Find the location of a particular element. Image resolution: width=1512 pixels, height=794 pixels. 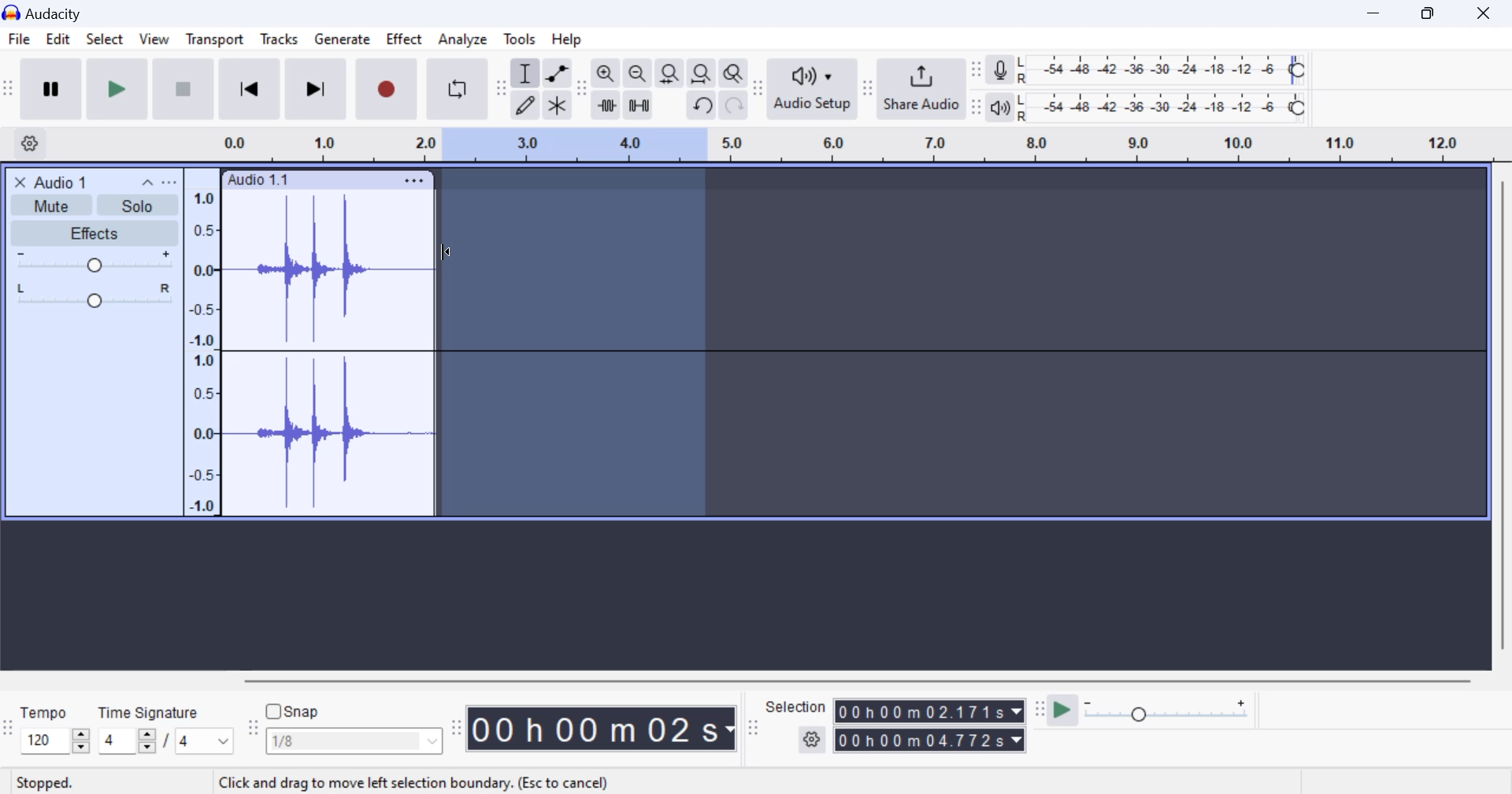

Mute is located at coordinates (54, 204).